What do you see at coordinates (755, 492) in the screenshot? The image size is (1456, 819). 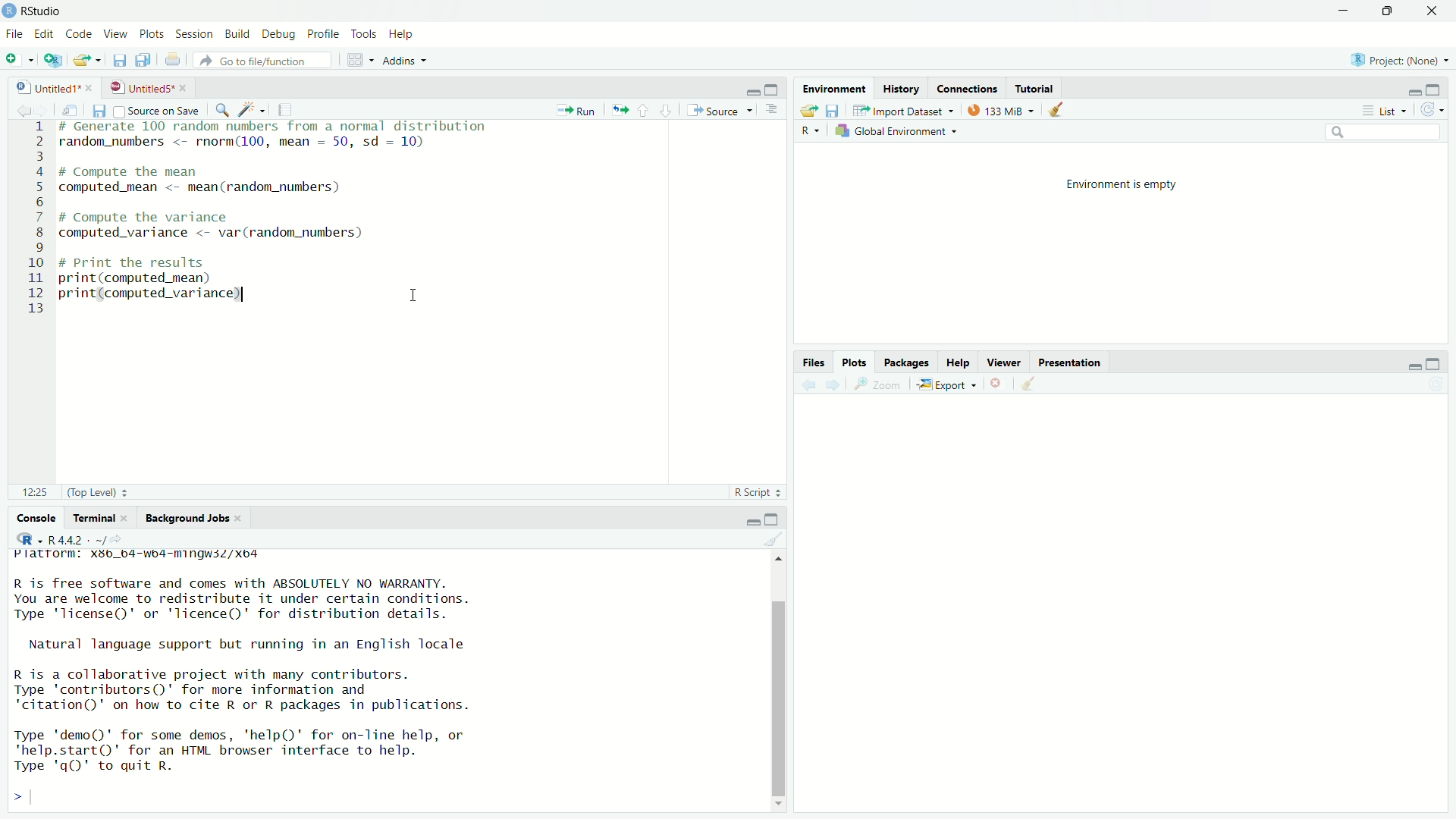 I see `R Script` at bounding box center [755, 492].